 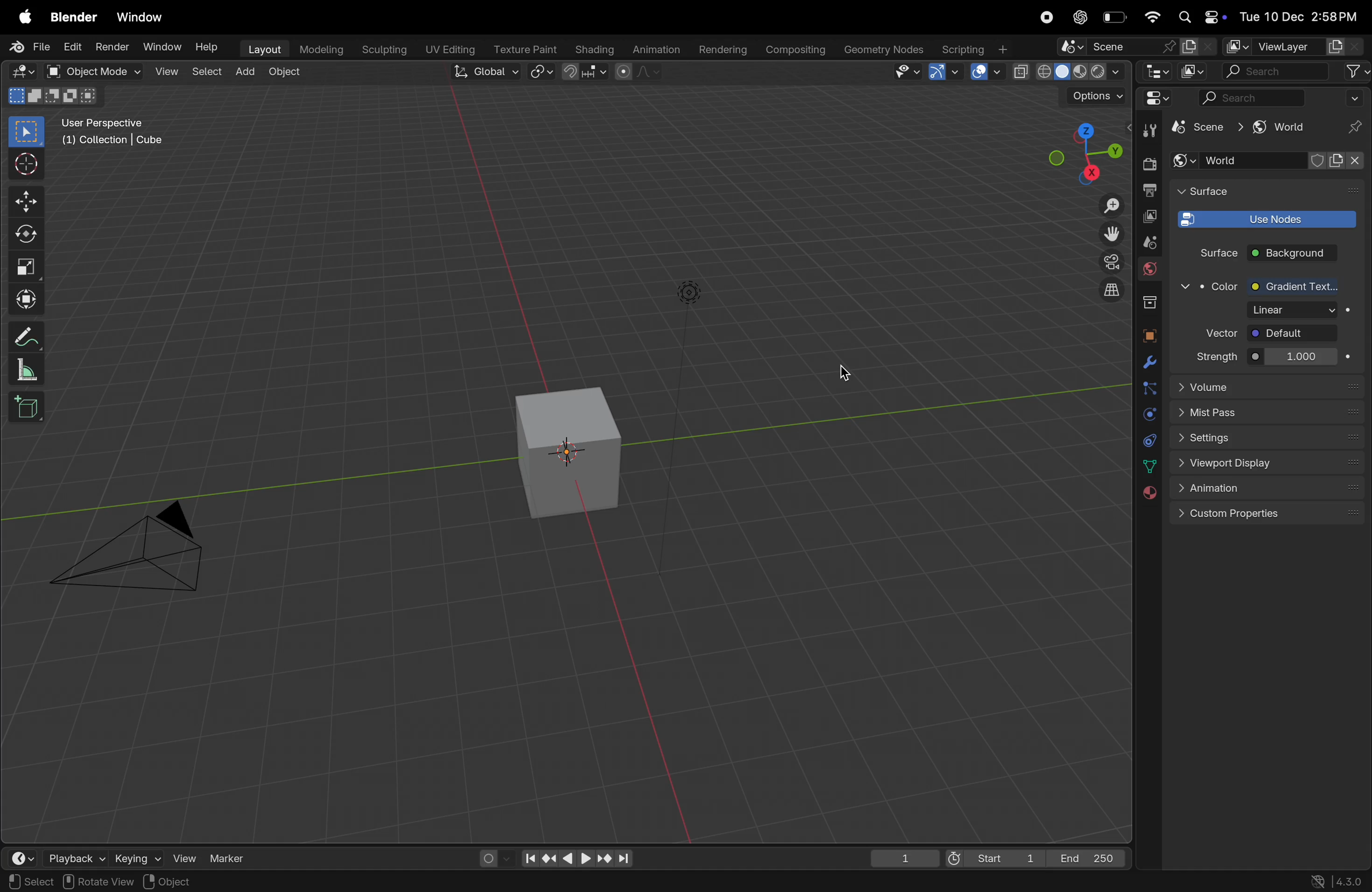 What do you see at coordinates (1211, 286) in the screenshot?
I see `color` at bounding box center [1211, 286].